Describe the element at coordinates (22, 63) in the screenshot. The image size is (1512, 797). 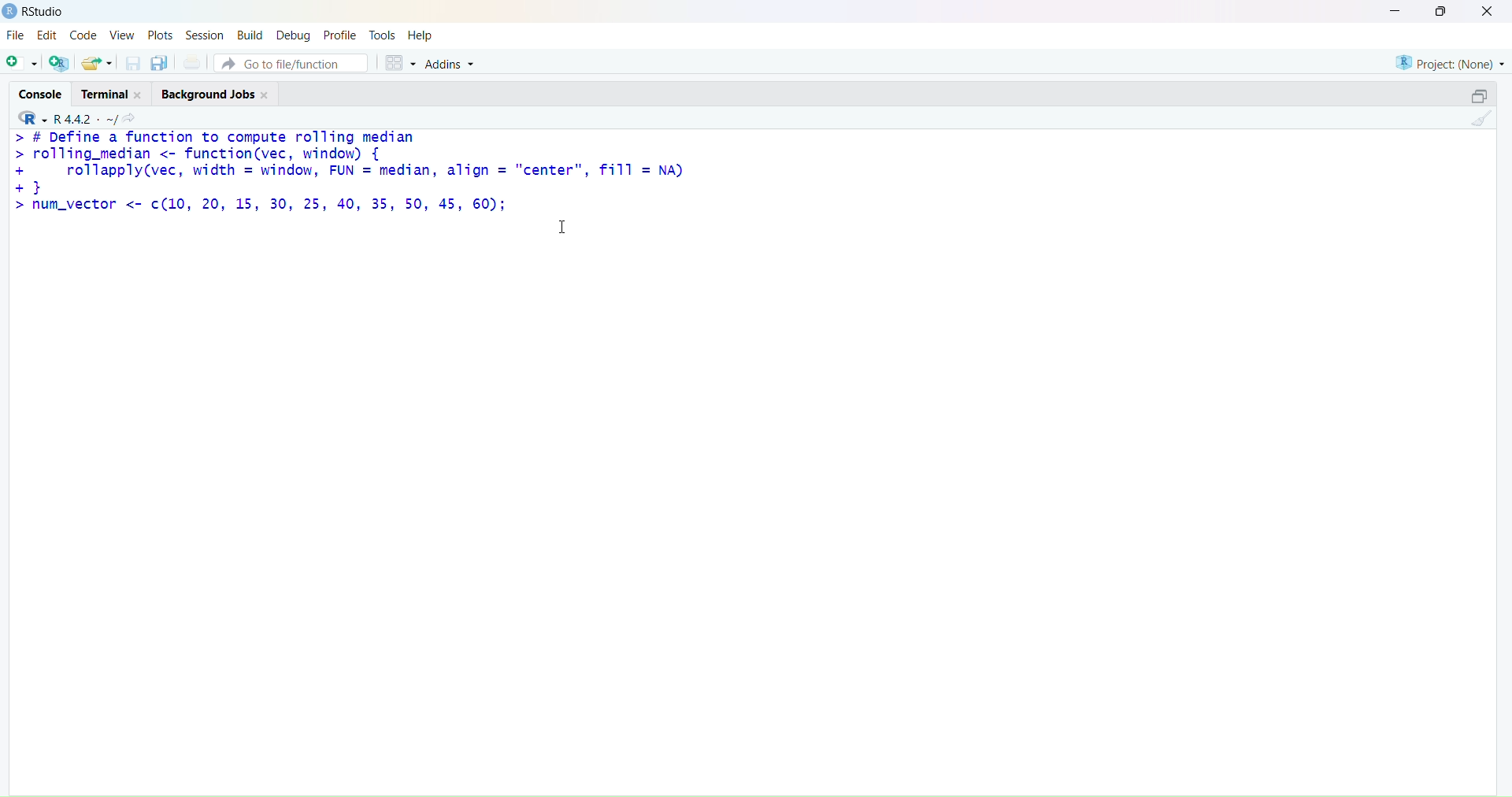
I see `add file as` at that location.